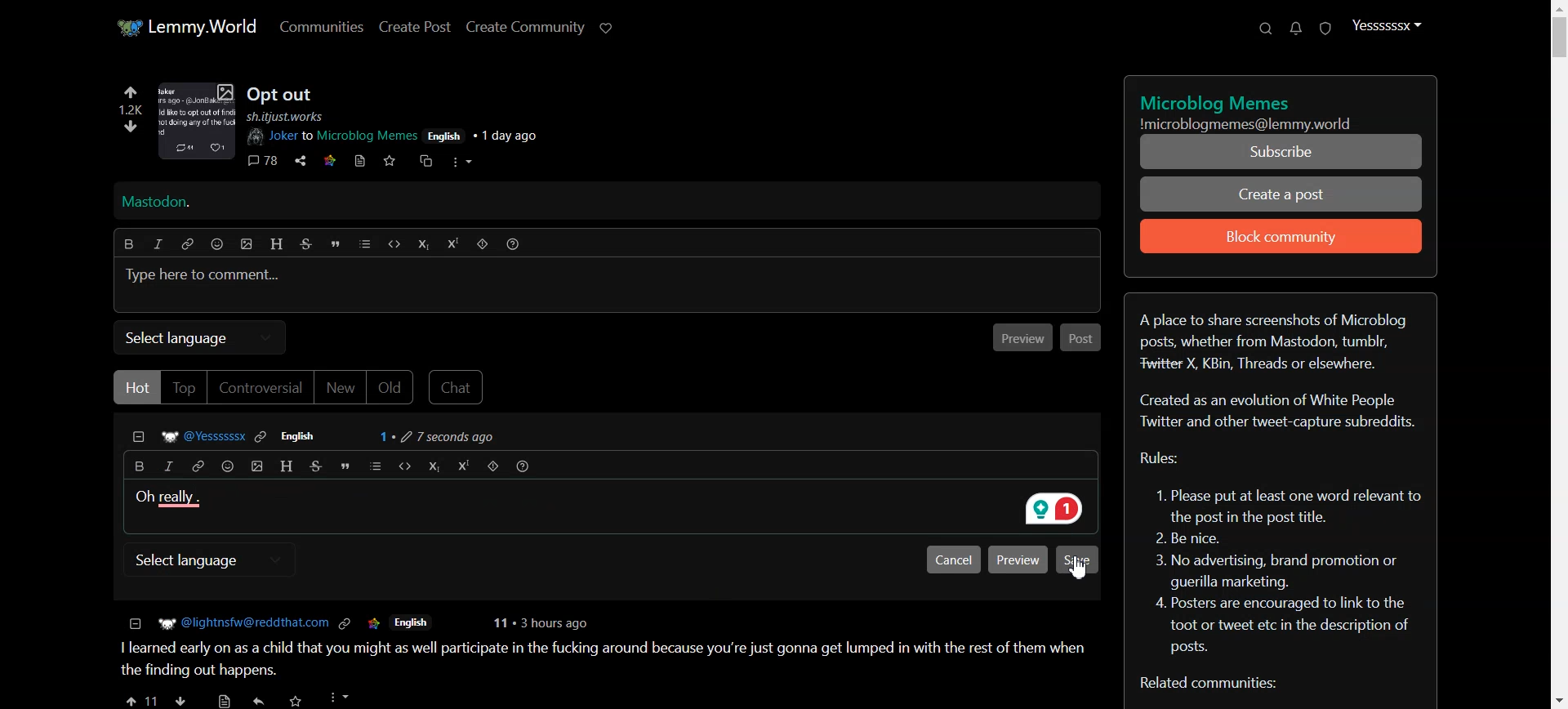  I want to click on Subscript, so click(432, 466).